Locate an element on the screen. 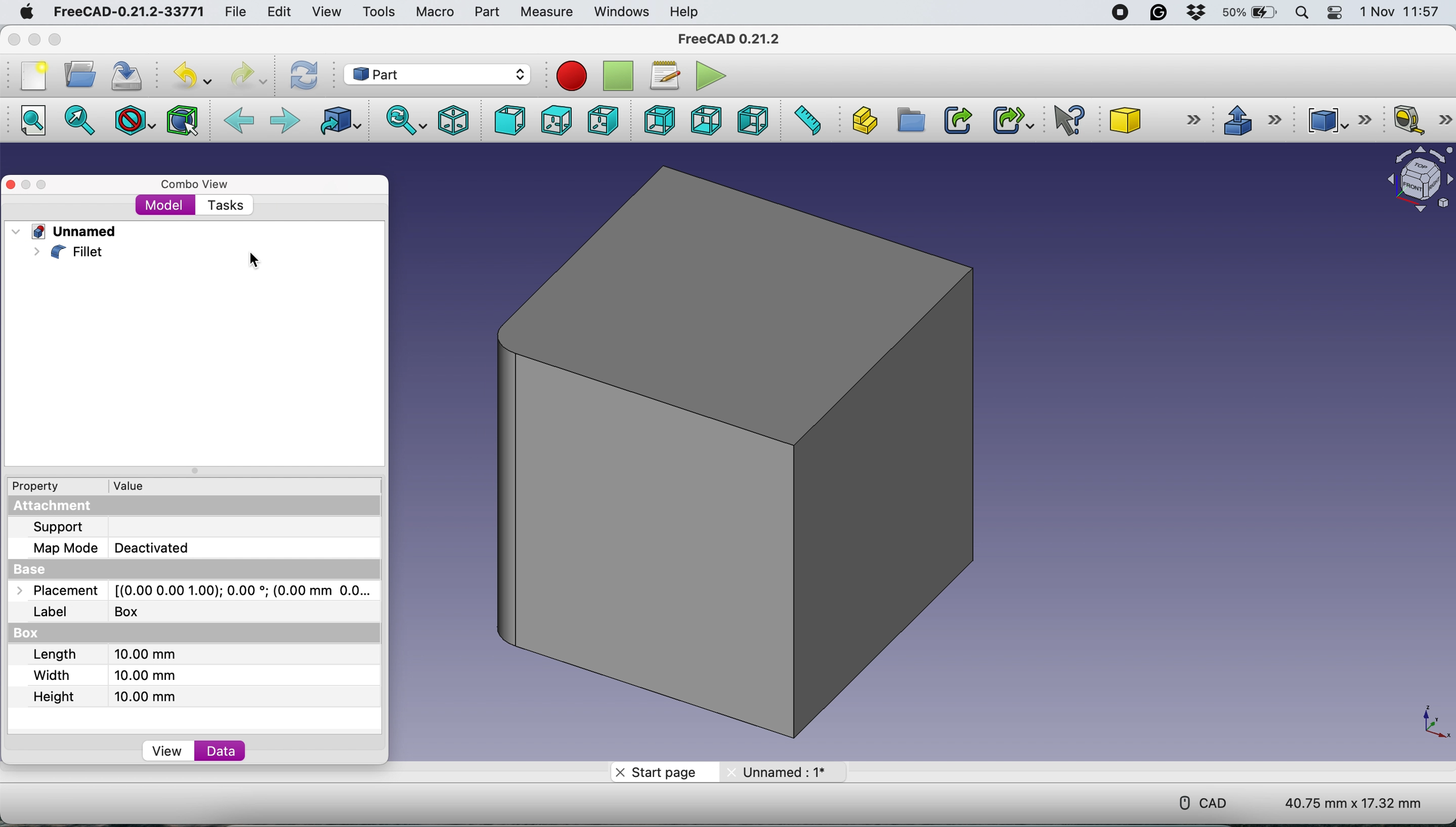 The width and height of the screenshot is (1456, 827). stop recording macros is located at coordinates (617, 76).